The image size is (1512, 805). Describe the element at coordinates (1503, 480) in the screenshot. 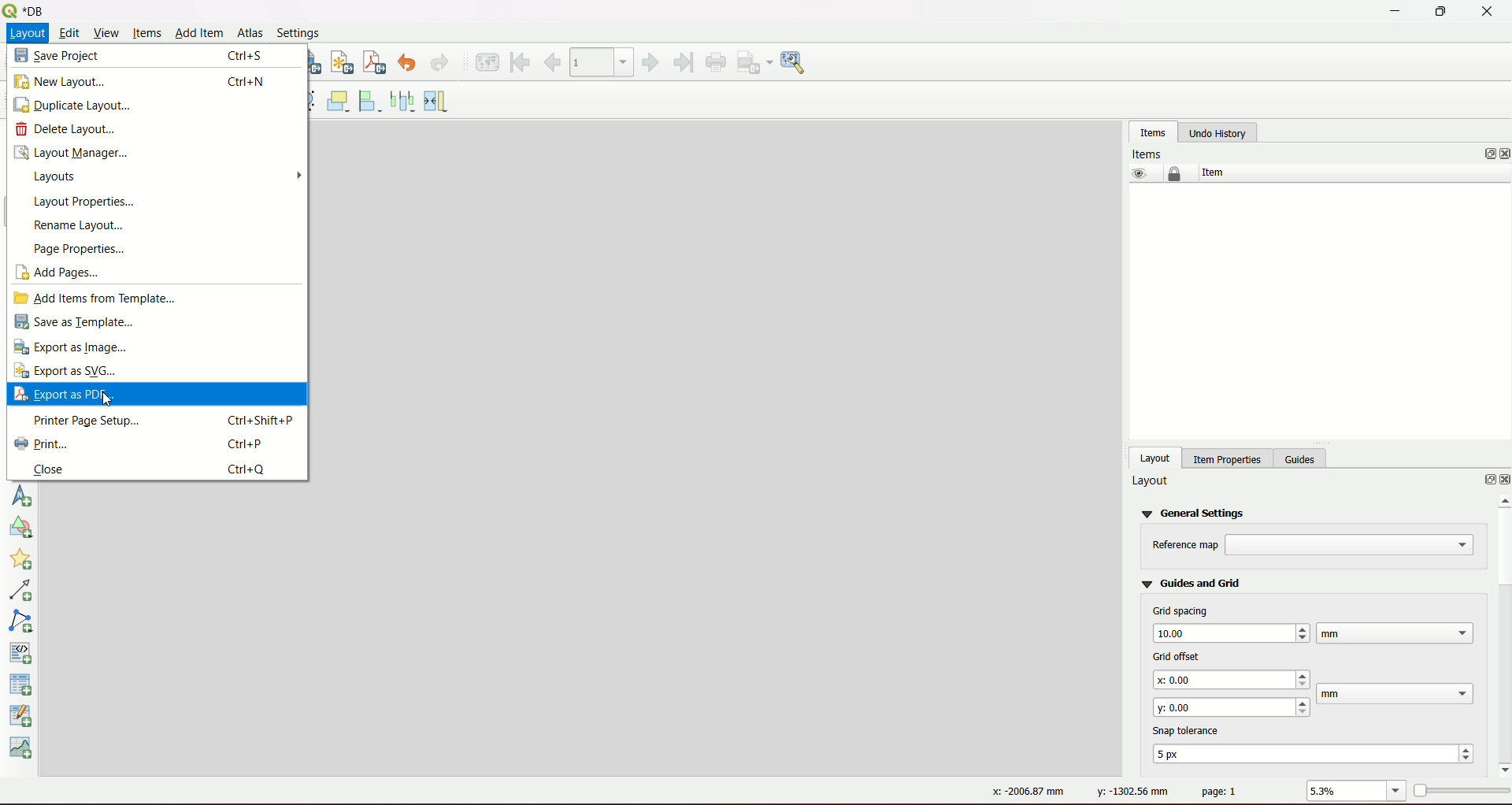

I see `close` at that location.